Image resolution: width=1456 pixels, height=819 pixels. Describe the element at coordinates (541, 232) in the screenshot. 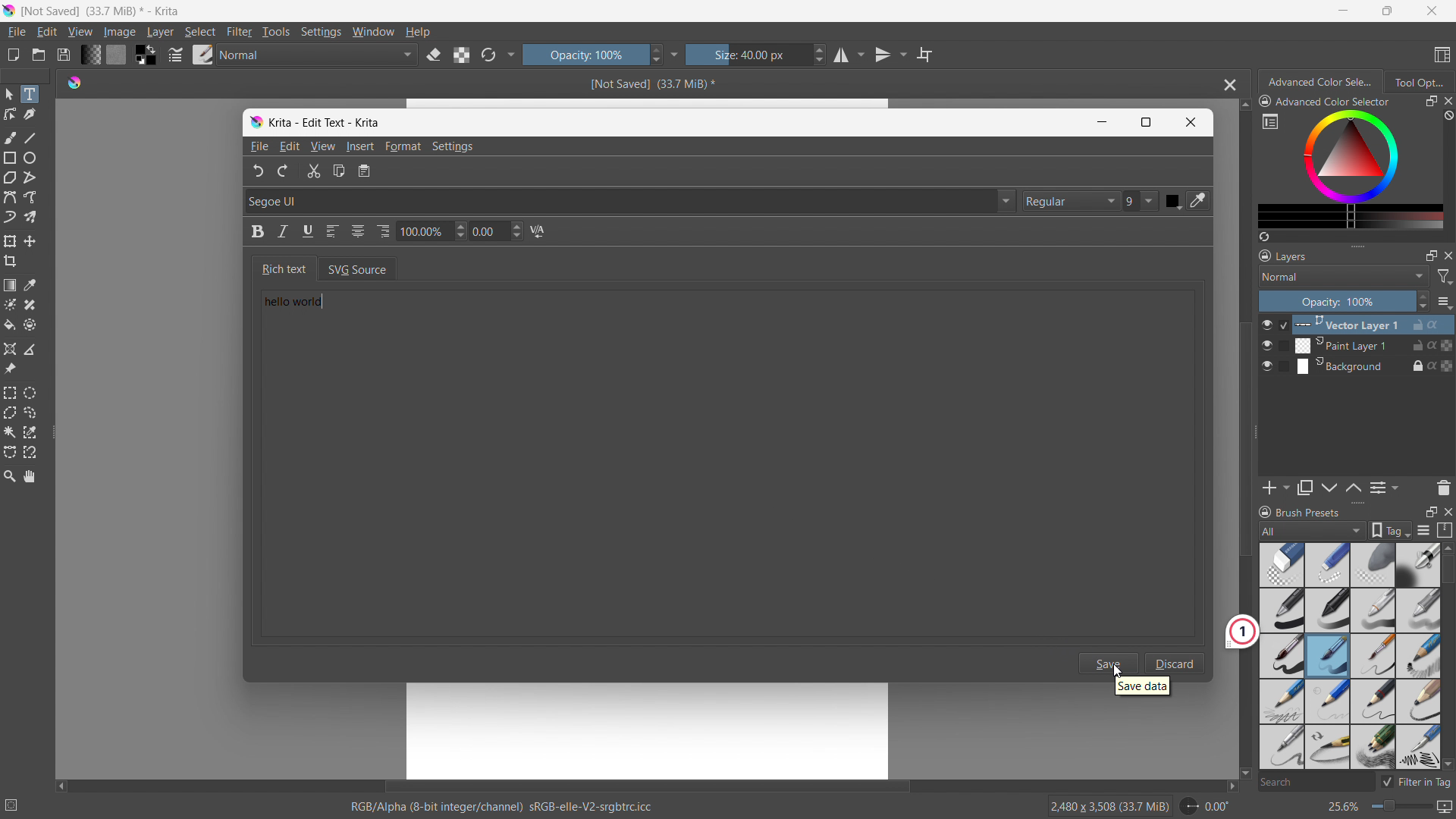

I see `N/A` at that location.